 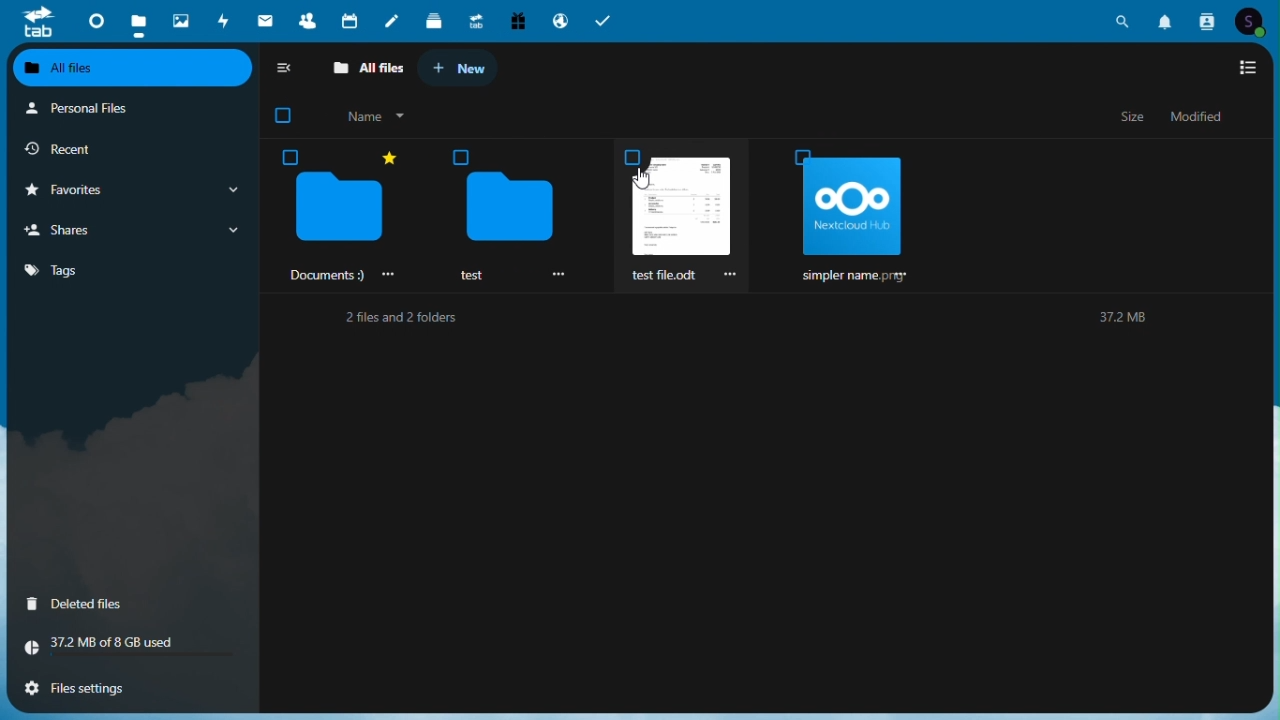 What do you see at coordinates (131, 151) in the screenshot?
I see `Recent` at bounding box center [131, 151].